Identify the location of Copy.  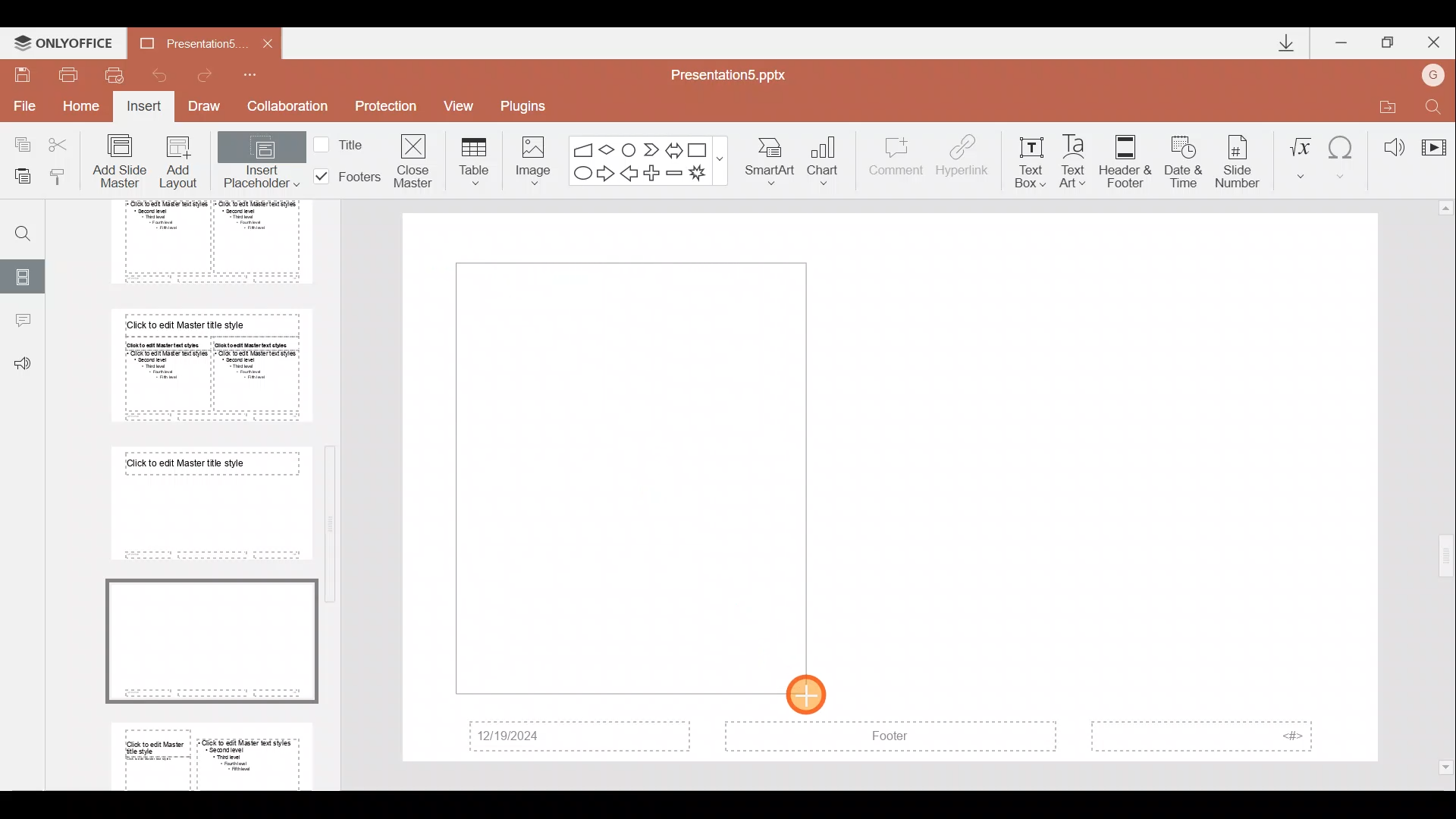
(17, 144).